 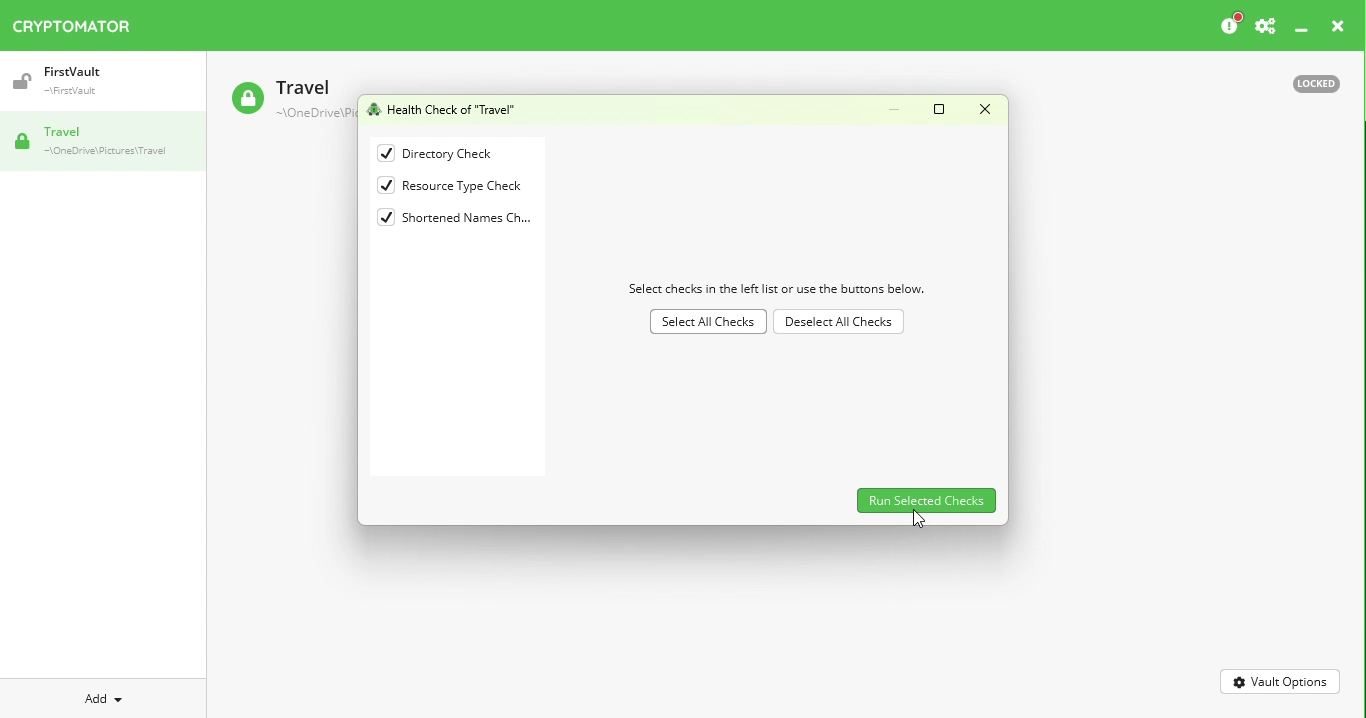 What do you see at coordinates (286, 99) in the screenshot?
I see `Travel` at bounding box center [286, 99].